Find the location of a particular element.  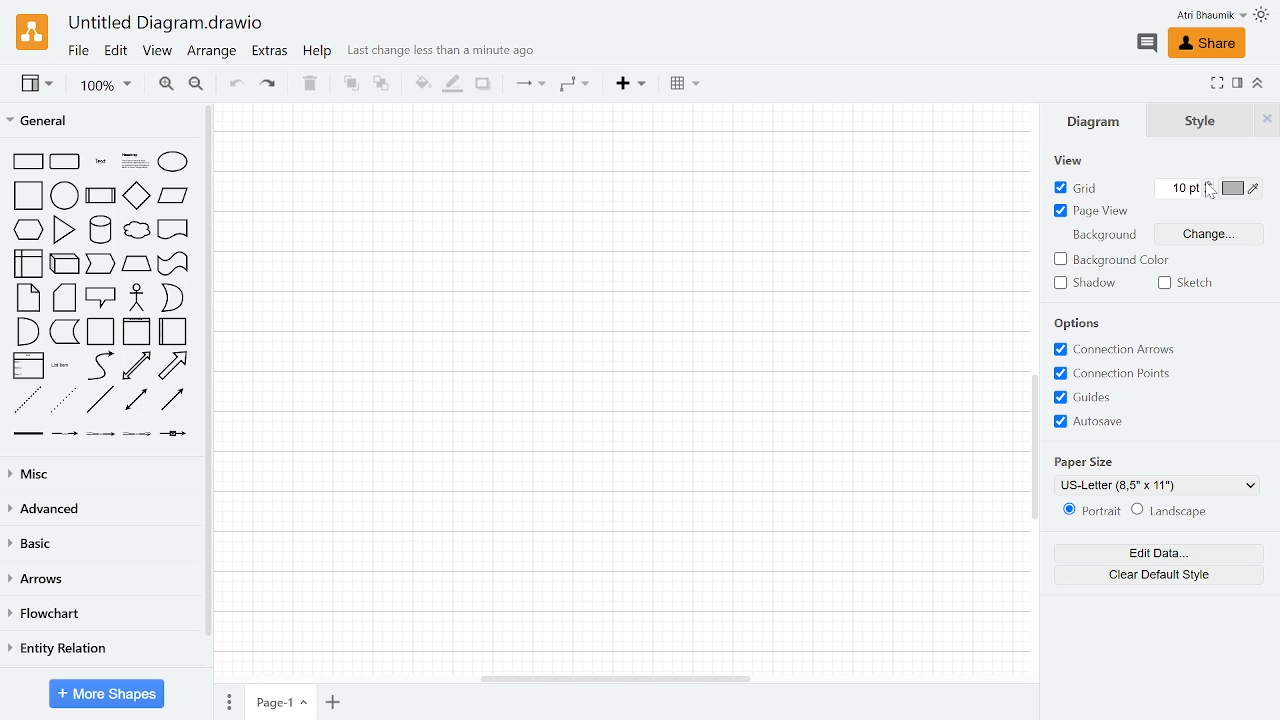

Zoom out is located at coordinates (198, 85).